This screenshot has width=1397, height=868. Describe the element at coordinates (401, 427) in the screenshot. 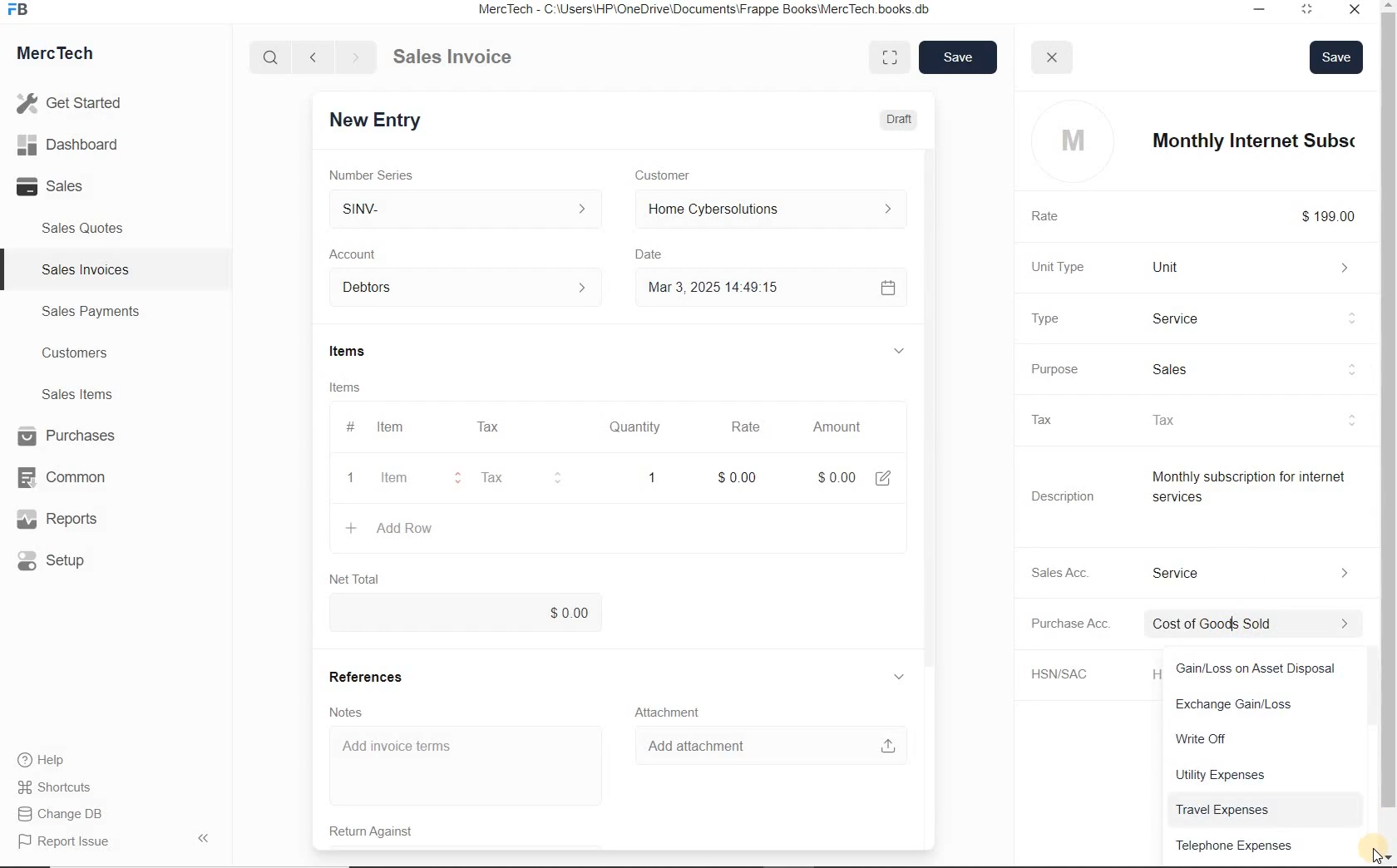

I see `Item` at that location.